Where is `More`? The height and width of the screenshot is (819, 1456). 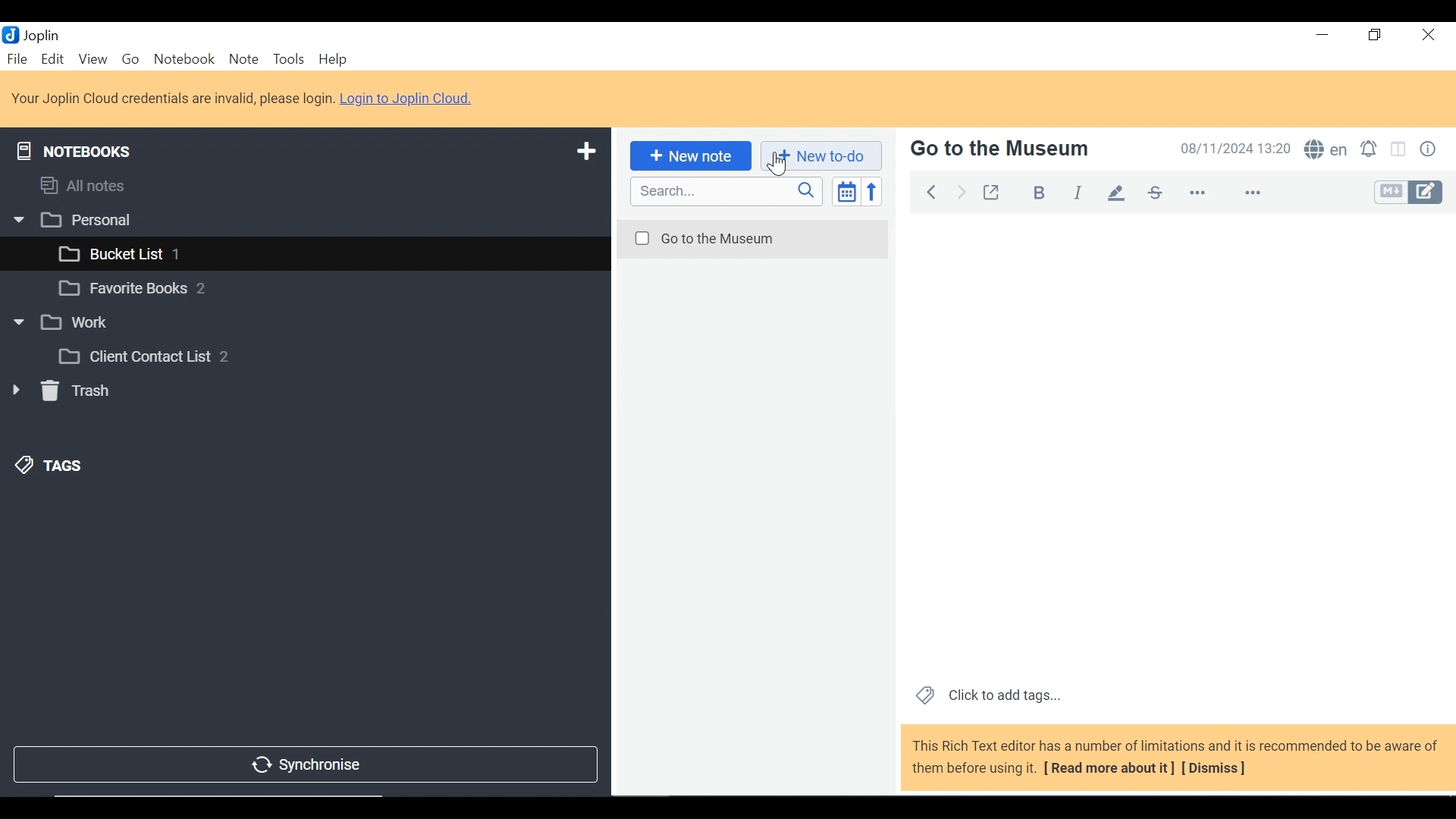
More is located at coordinates (1223, 193).